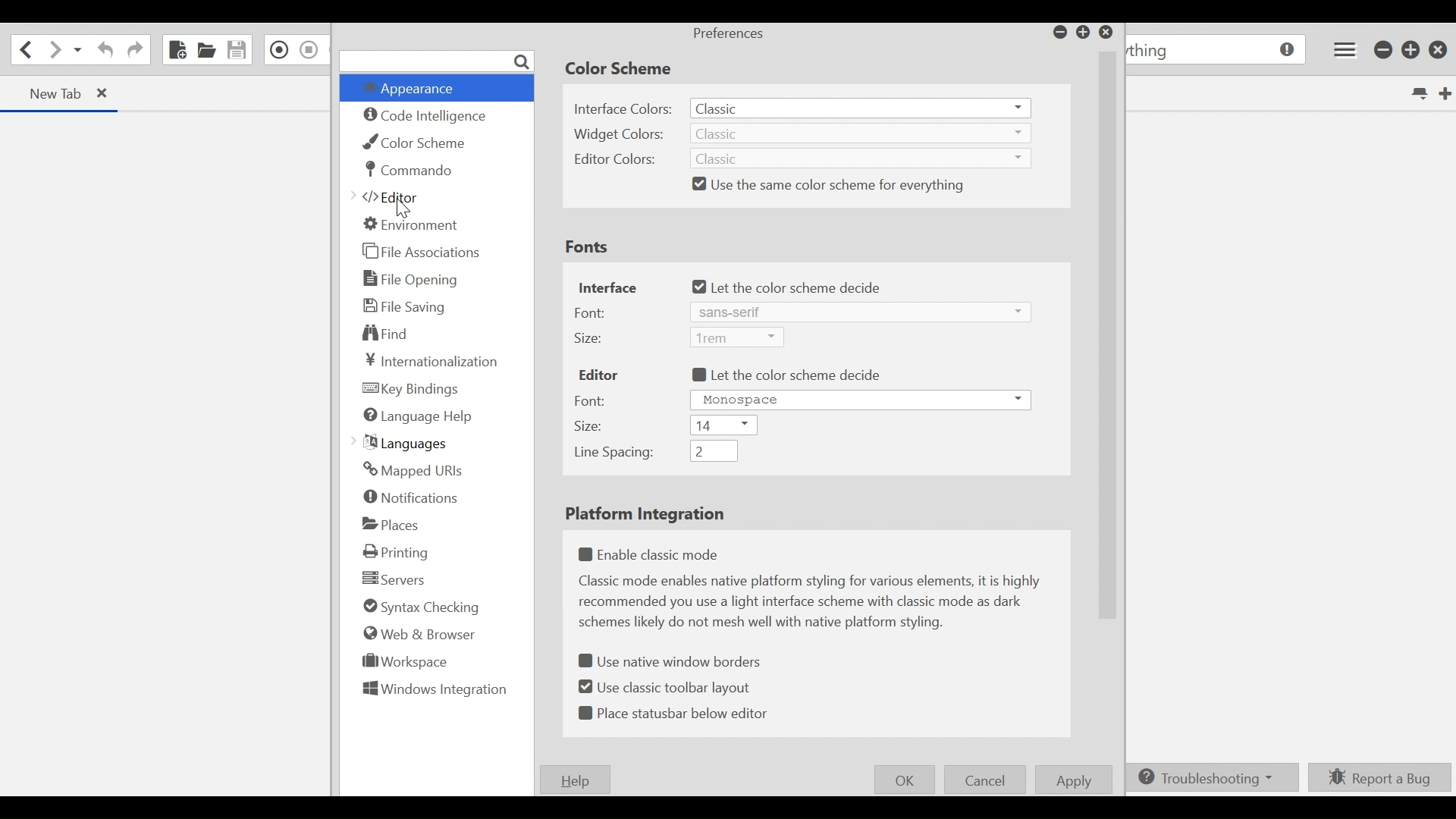 Image resolution: width=1456 pixels, height=819 pixels. What do you see at coordinates (861, 108) in the screenshot?
I see `Interface dropdown menu` at bounding box center [861, 108].